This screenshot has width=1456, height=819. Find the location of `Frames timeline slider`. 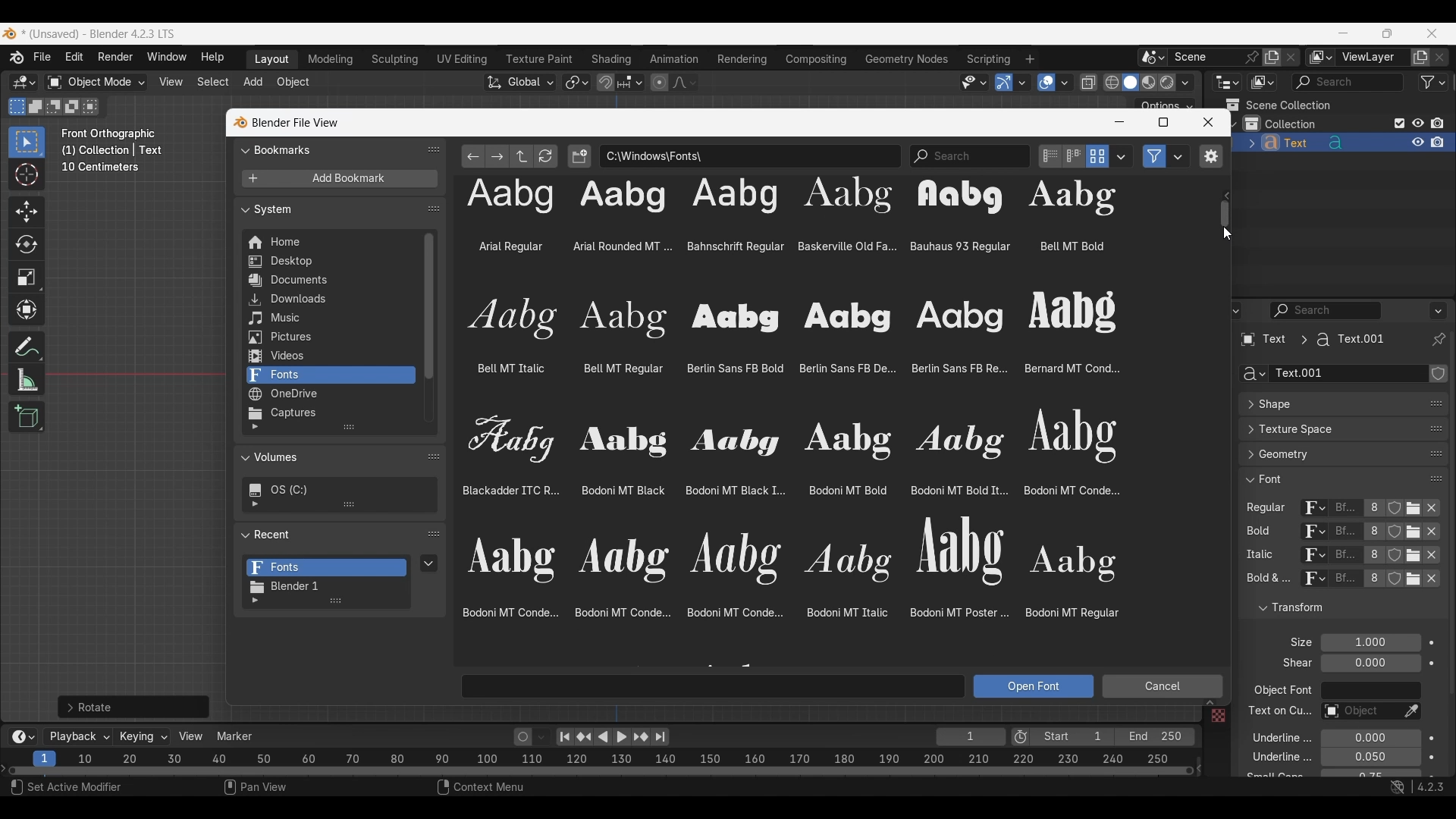

Frames timeline slider is located at coordinates (600, 772).